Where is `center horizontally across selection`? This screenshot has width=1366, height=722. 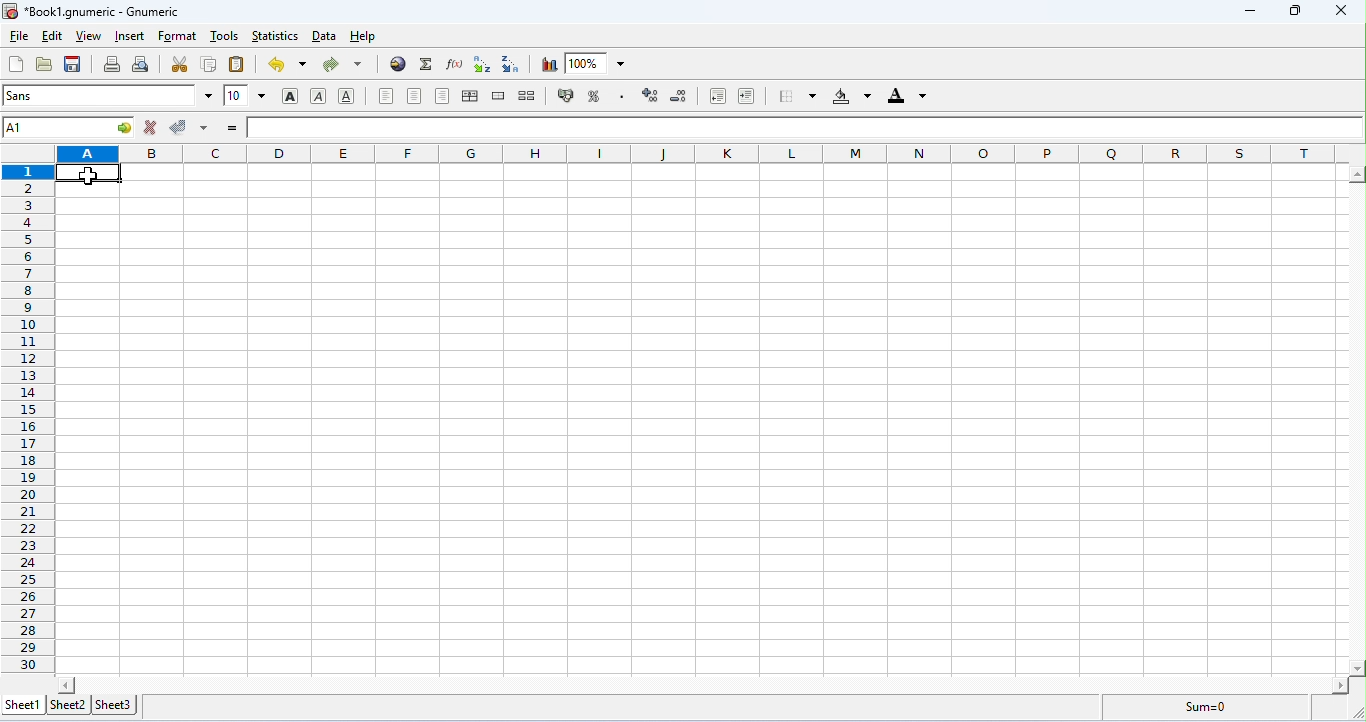 center horizontally across selection is located at coordinates (469, 96).